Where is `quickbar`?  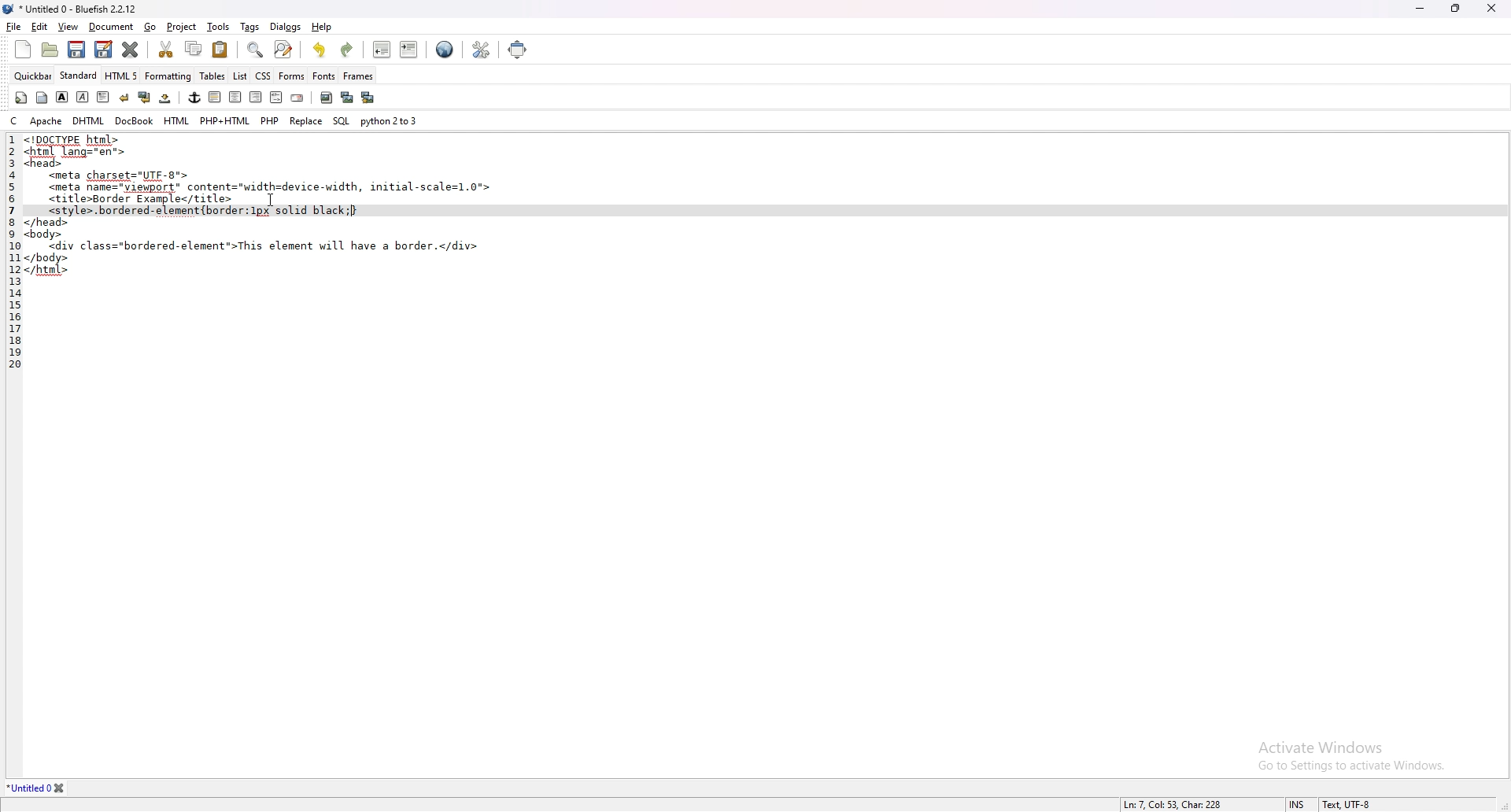
quickbar is located at coordinates (33, 76).